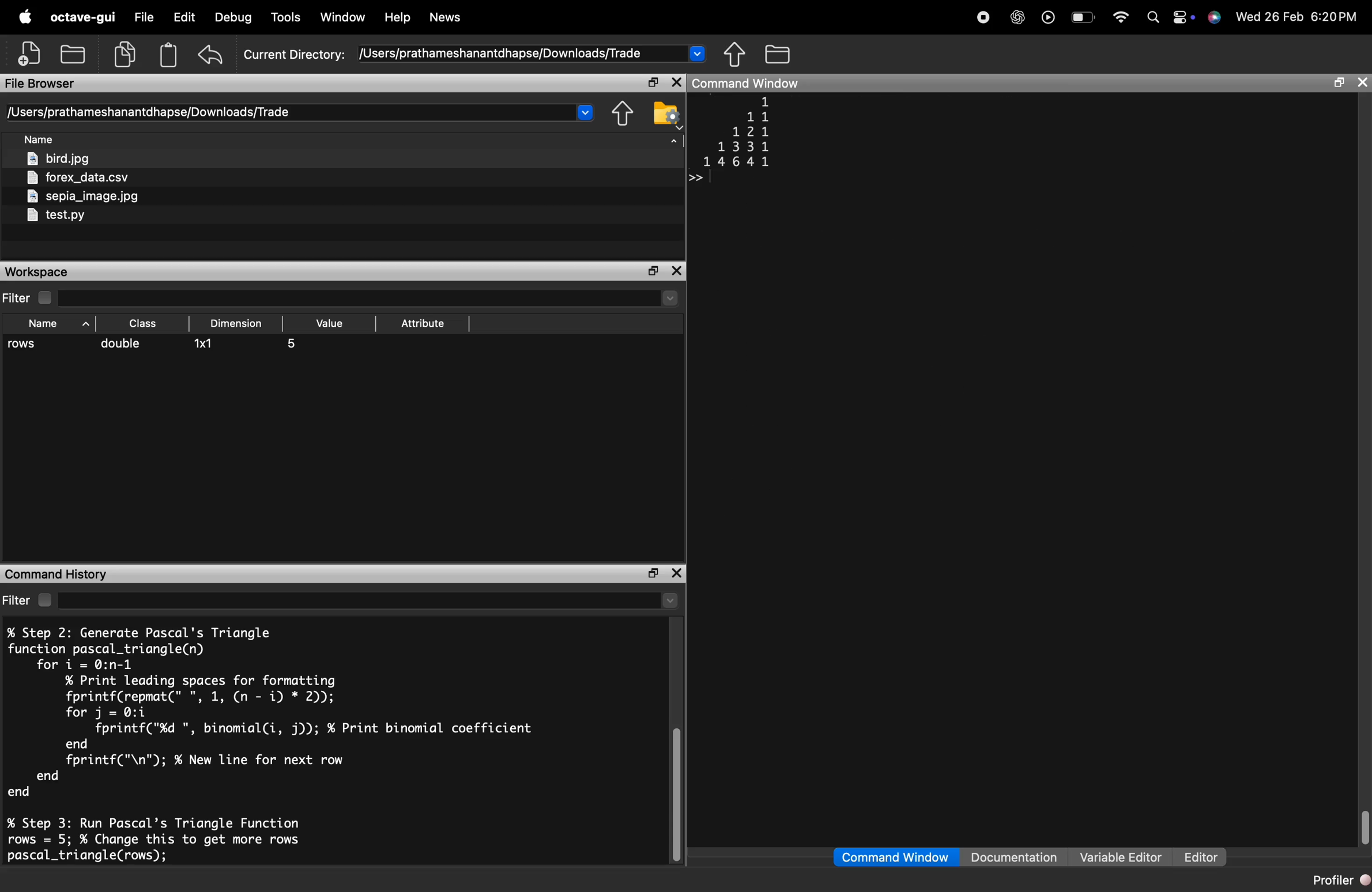  I want to click on dropdown, so click(673, 145).